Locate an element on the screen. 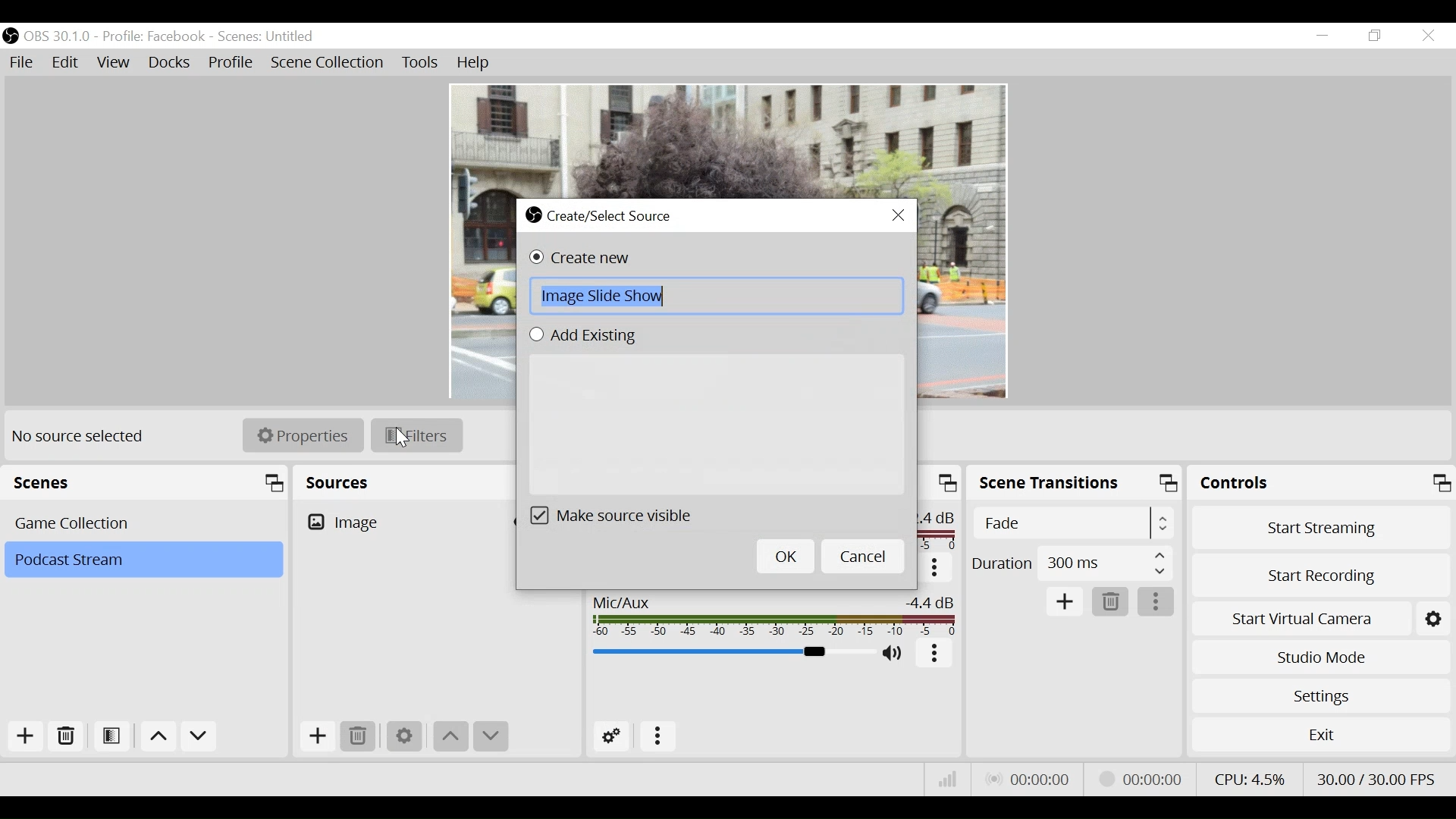 The image size is (1456, 819). OBS Version is located at coordinates (60, 36).